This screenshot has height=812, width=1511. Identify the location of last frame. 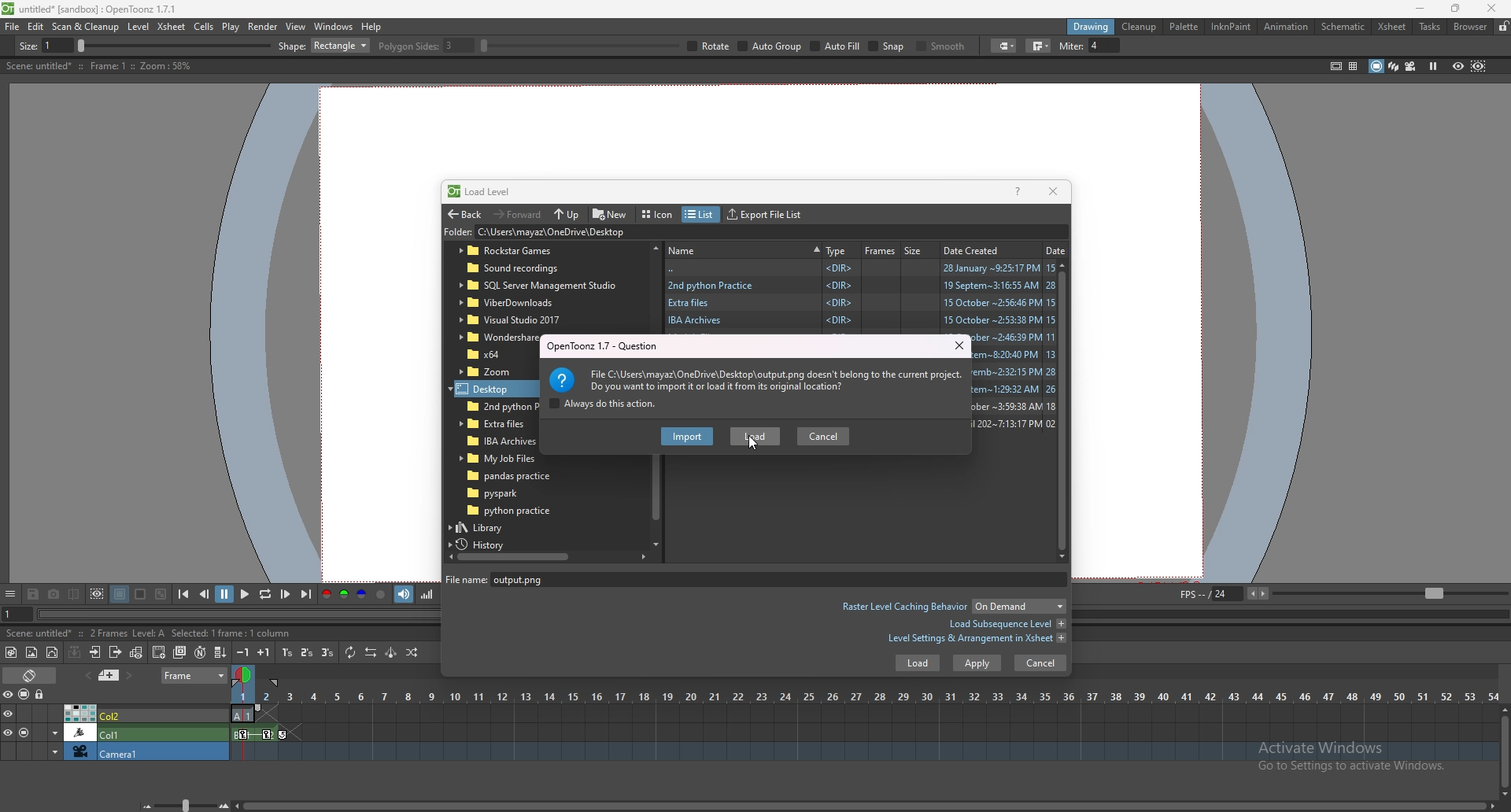
(305, 594).